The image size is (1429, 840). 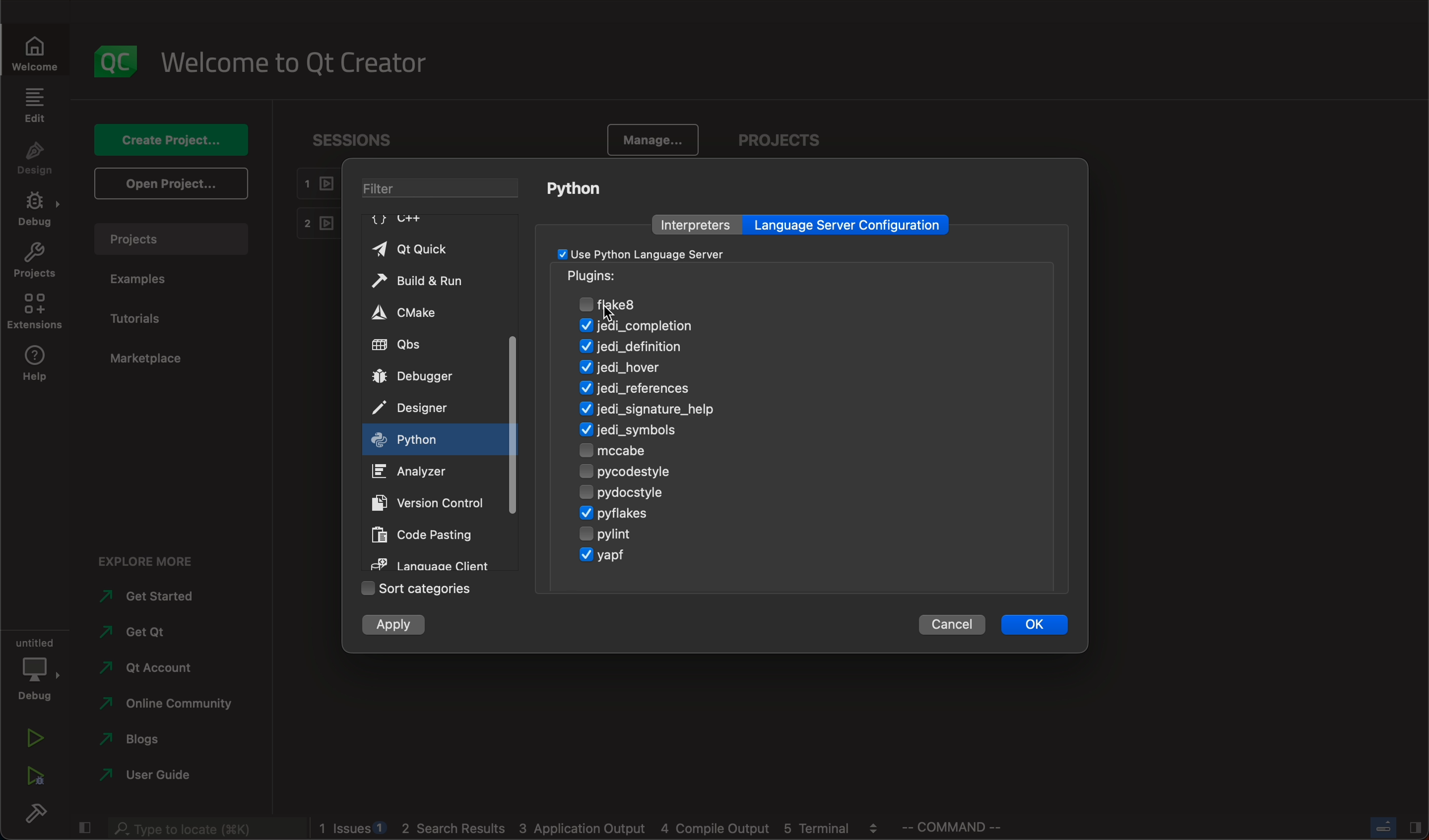 What do you see at coordinates (641, 255) in the screenshot?
I see `checkbox` at bounding box center [641, 255].